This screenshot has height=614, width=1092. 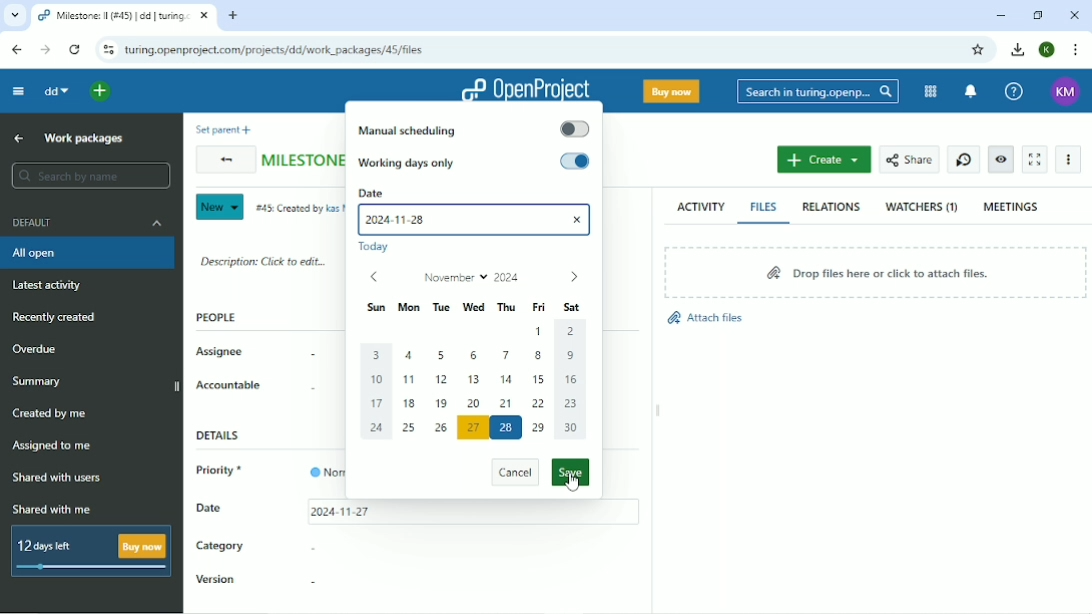 I want to click on close, so click(x=579, y=218).